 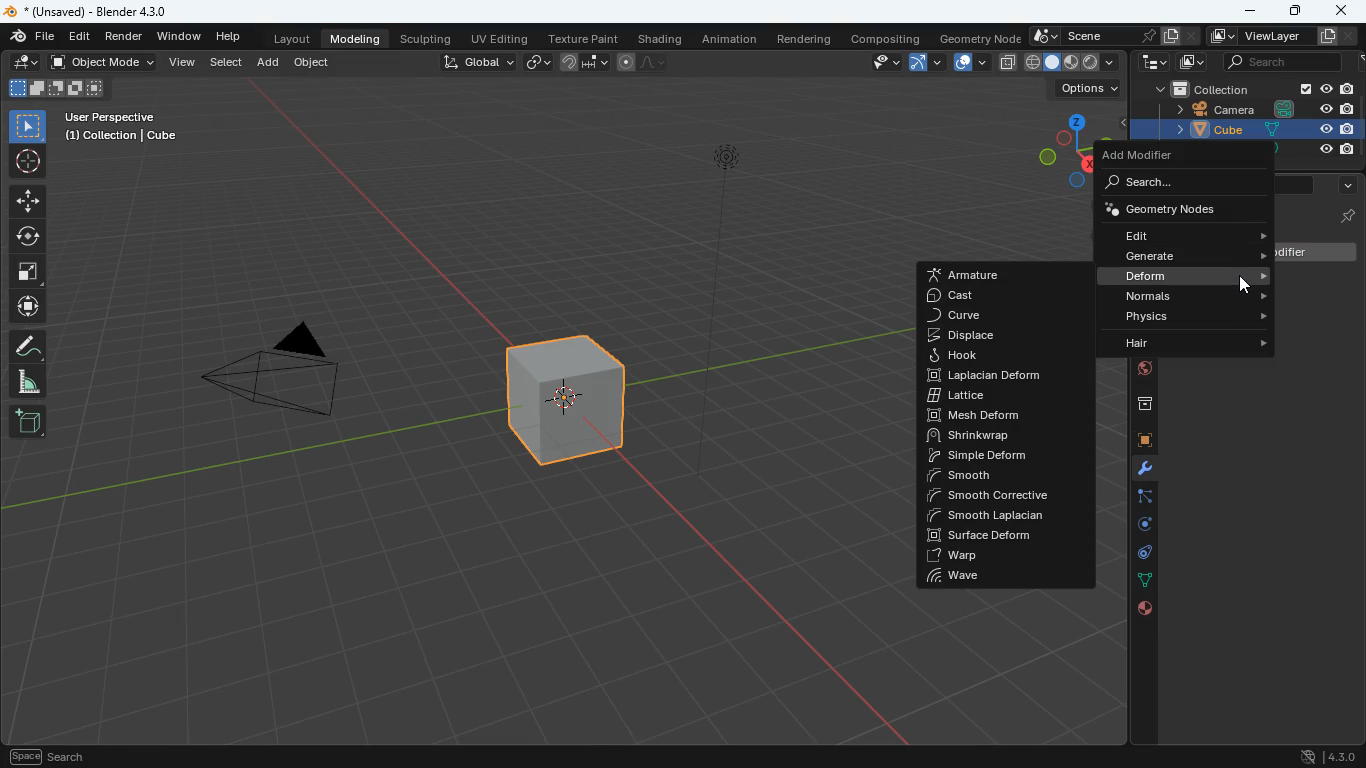 What do you see at coordinates (1136, 441) in the screenshot?
I see `cube` at bounding box center [1136, 441].